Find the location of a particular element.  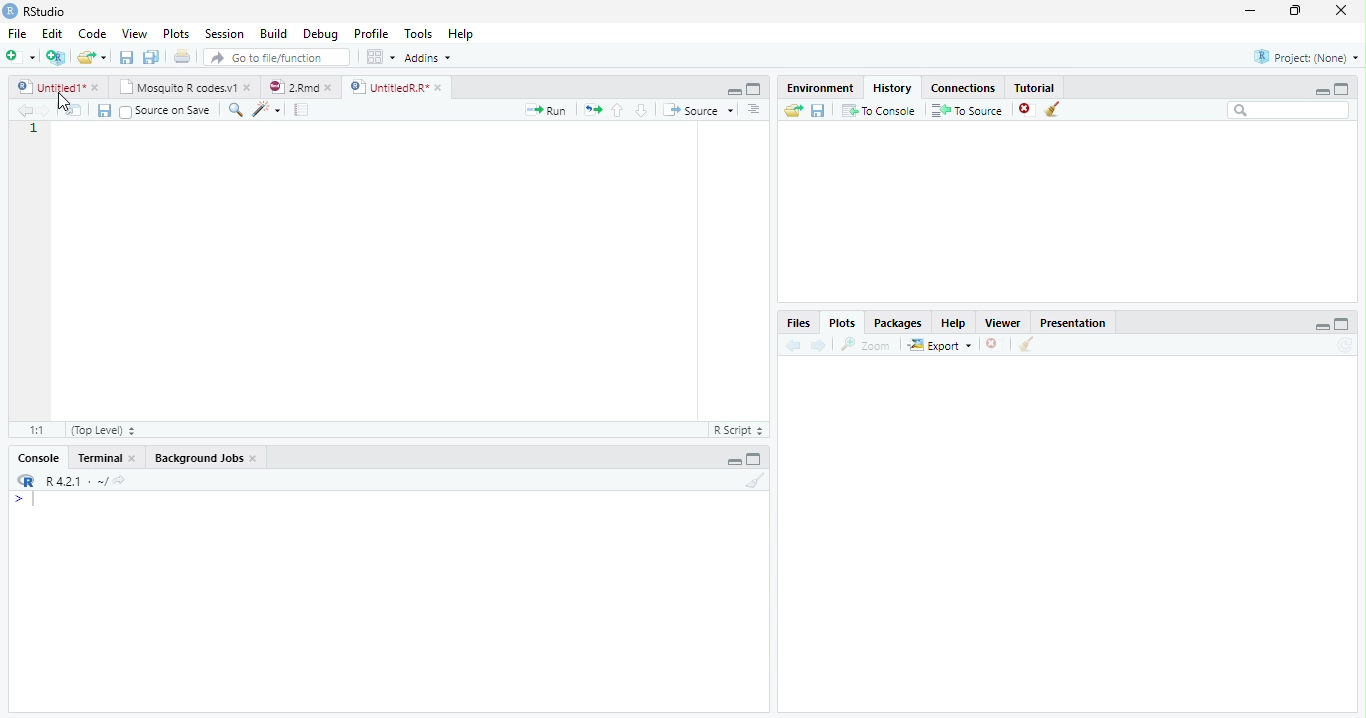

Next plot is located at coordinates (818, 345).